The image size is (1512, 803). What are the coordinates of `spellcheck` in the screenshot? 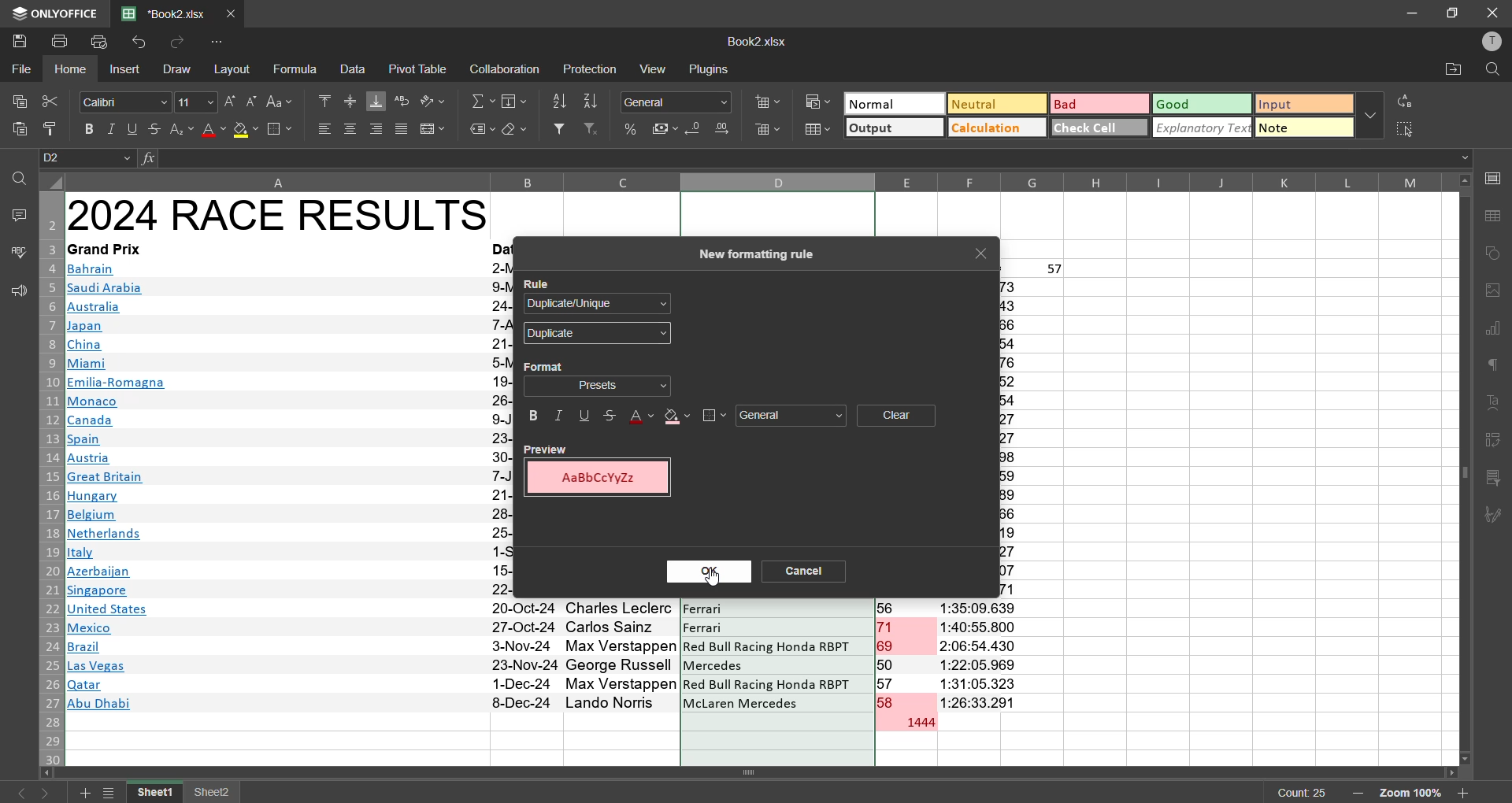 It's located at (17, 254).